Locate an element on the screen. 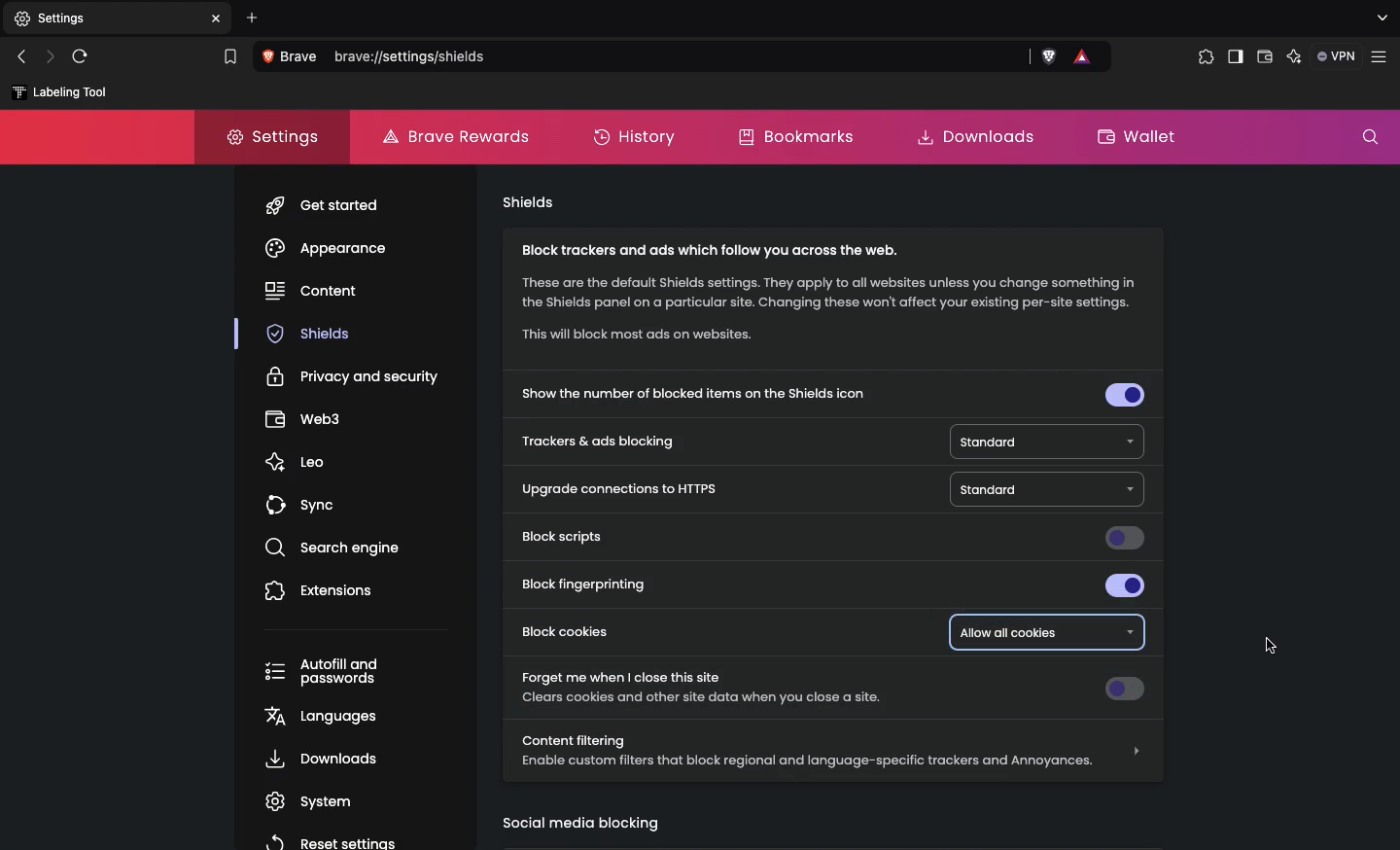  shields is located at coordinates (312, 336).